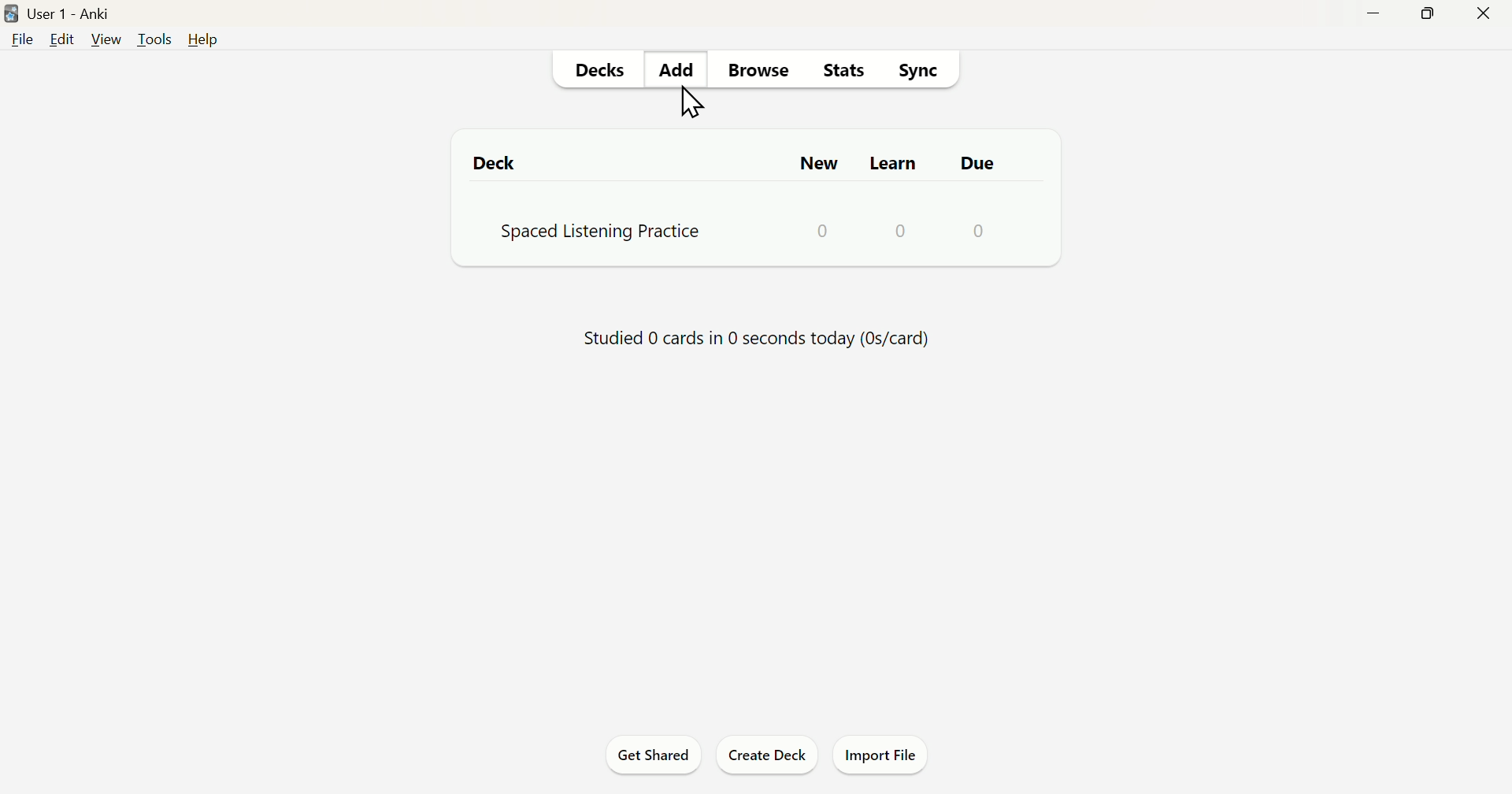 The width and height of the screenshot is (1512, 794). What do you see at coordinates (817, 162) in the screenshot?
I see `New` at bounding box center [817, 162].